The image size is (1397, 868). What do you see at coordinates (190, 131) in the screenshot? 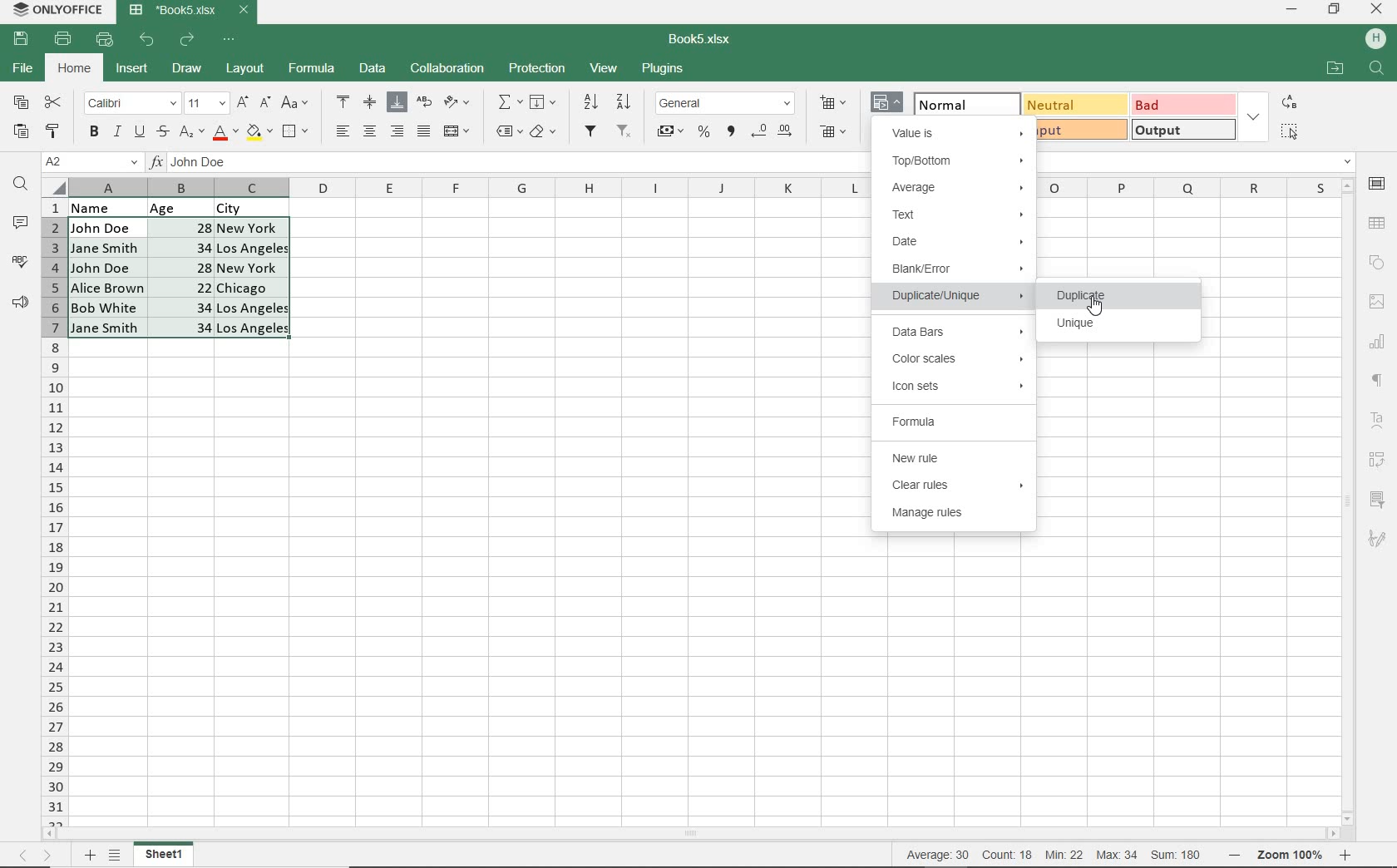
I see `SUBSCRIPT/SUPERSCRIPT` at bounding box center [190, 131].